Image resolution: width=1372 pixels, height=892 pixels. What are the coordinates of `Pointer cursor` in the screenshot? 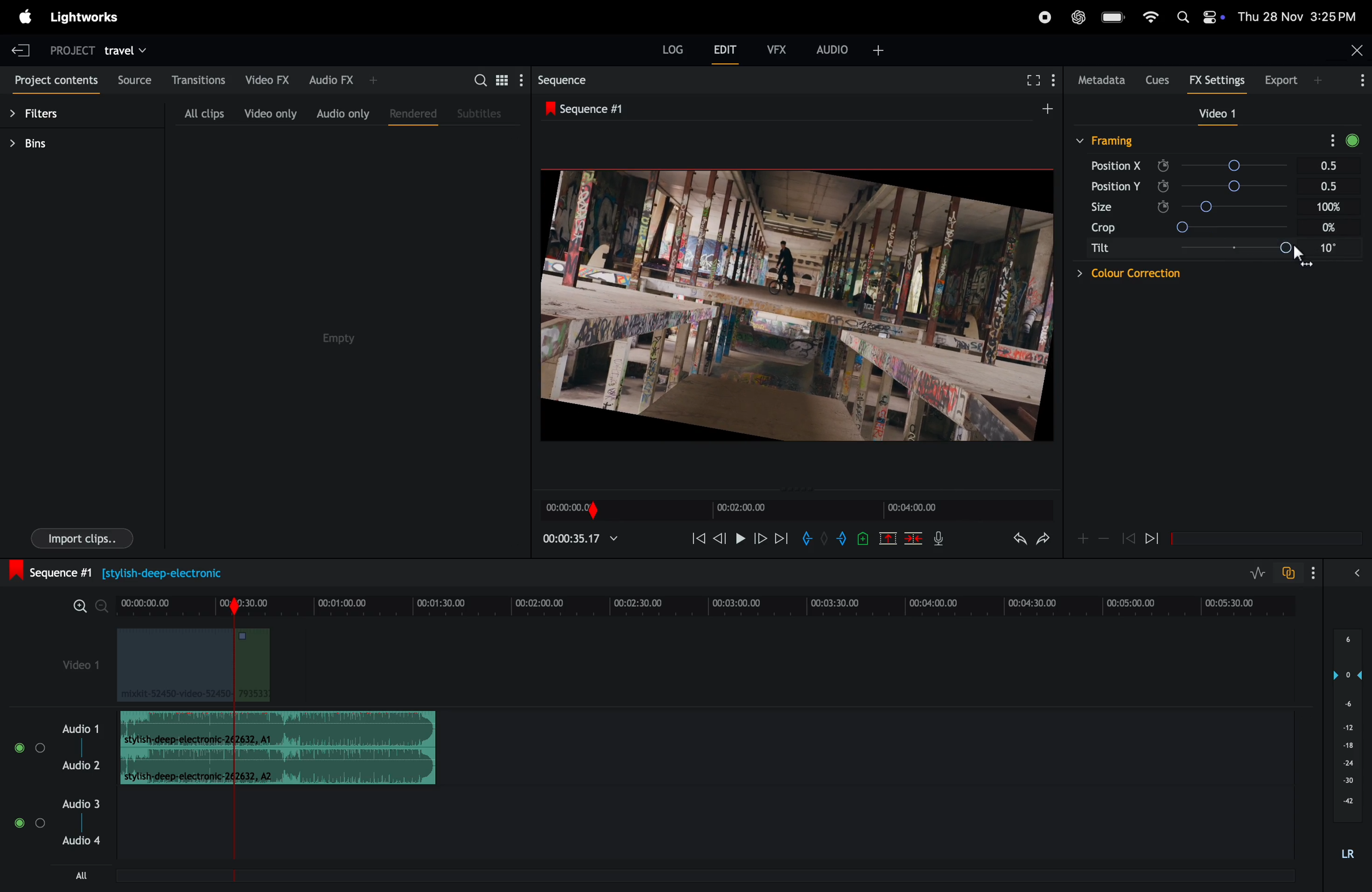 It's located at (1301, 266).